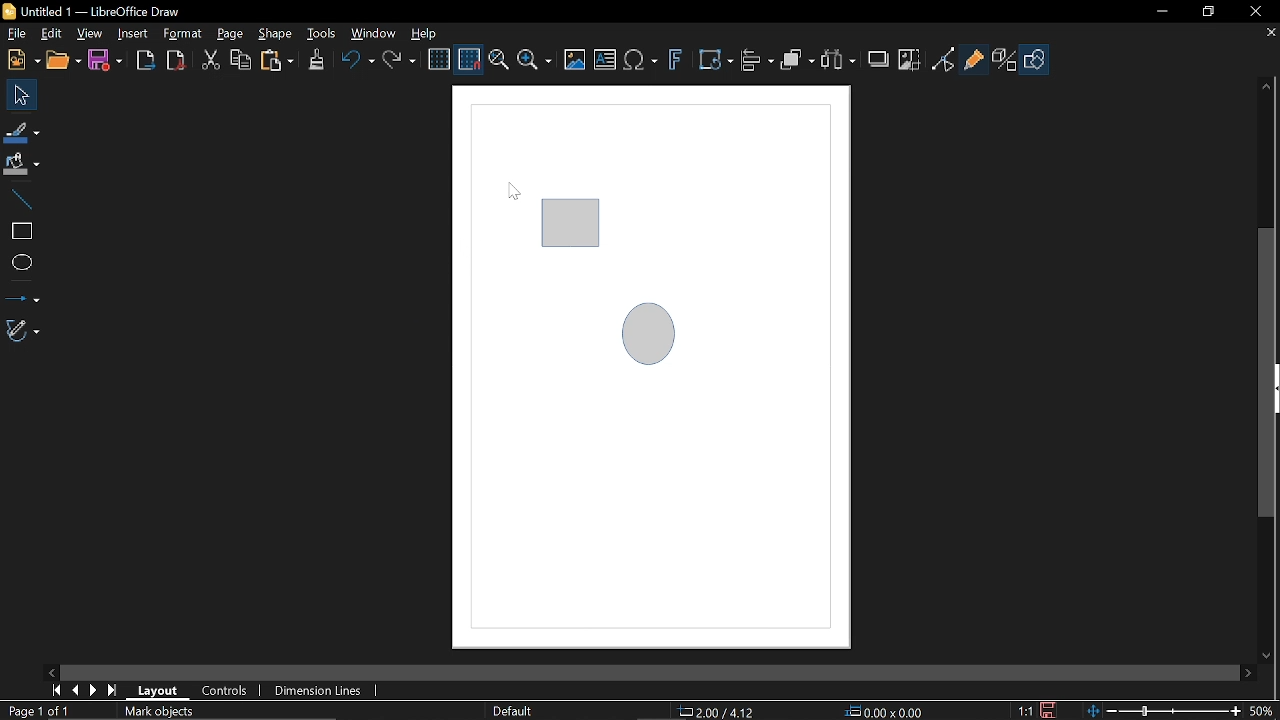 Image resolution: width=1280 pixels, height=720 pixels. I want to click on Transform, so click(715, 61).